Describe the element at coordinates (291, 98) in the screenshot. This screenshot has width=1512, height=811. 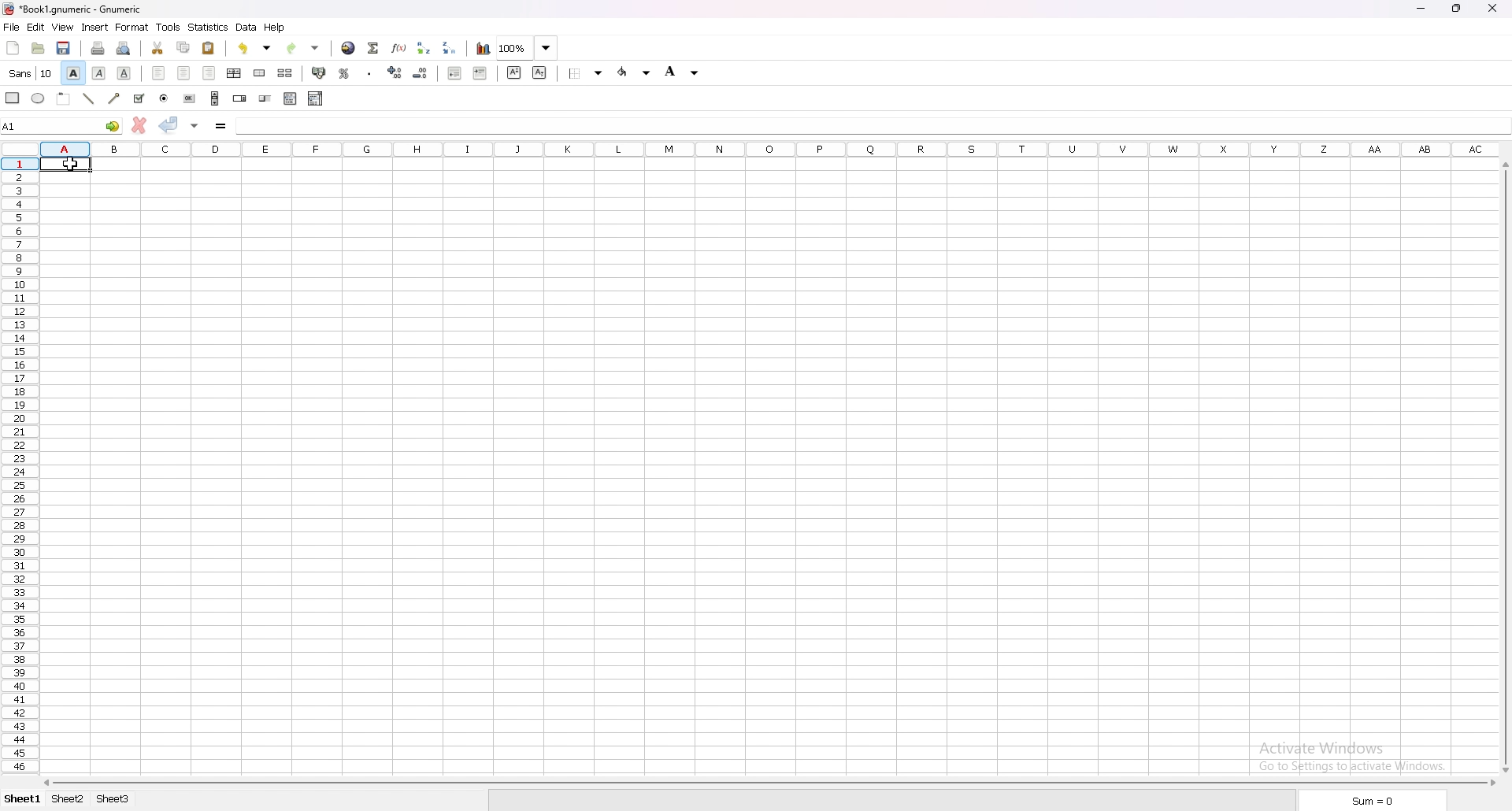
I see `list` at that location.